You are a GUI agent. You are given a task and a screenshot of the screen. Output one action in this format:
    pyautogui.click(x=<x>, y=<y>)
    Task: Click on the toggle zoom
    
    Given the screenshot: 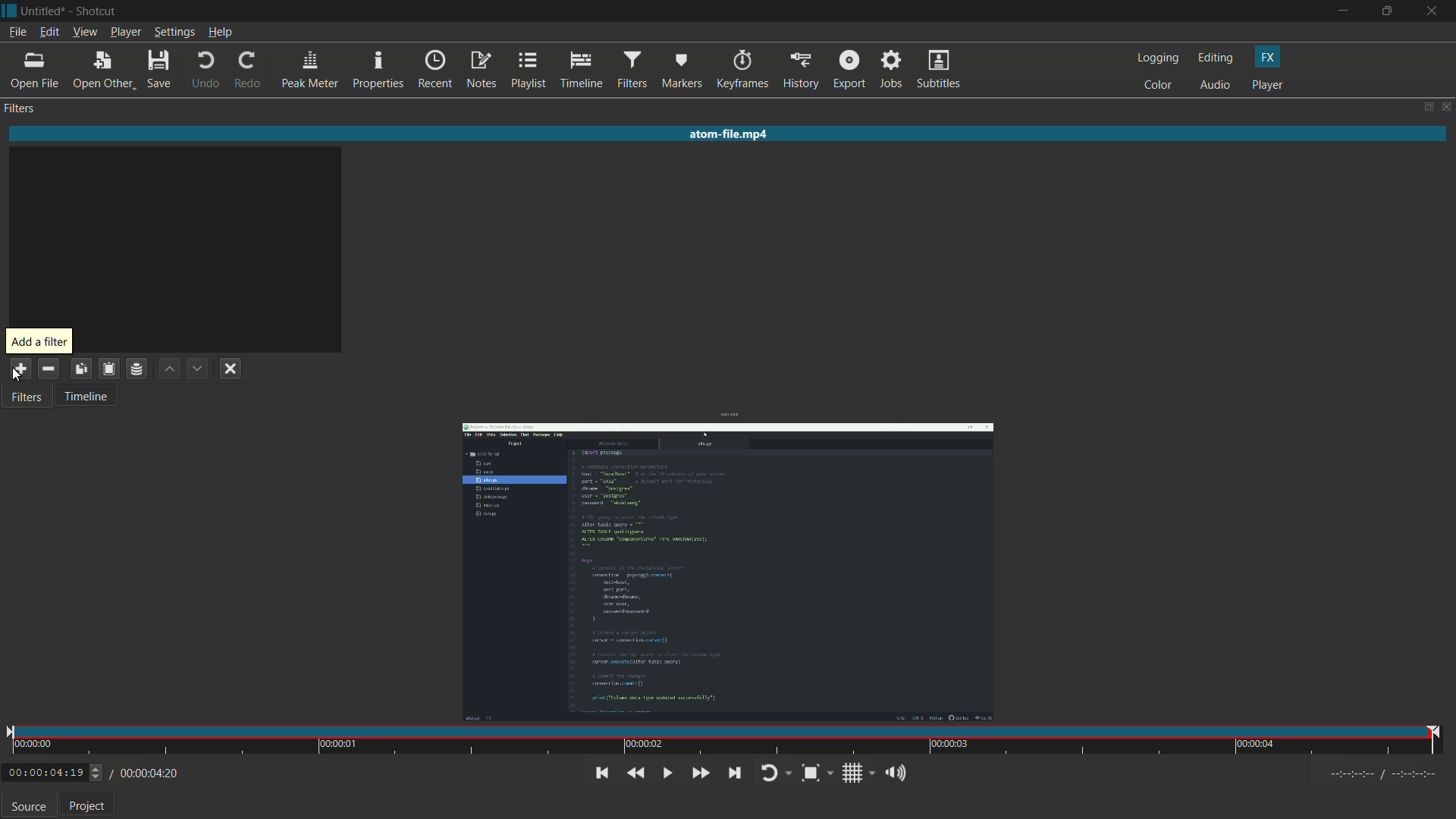 What is the action you would take?
    pyautogui.click(x=817, y=774)
    